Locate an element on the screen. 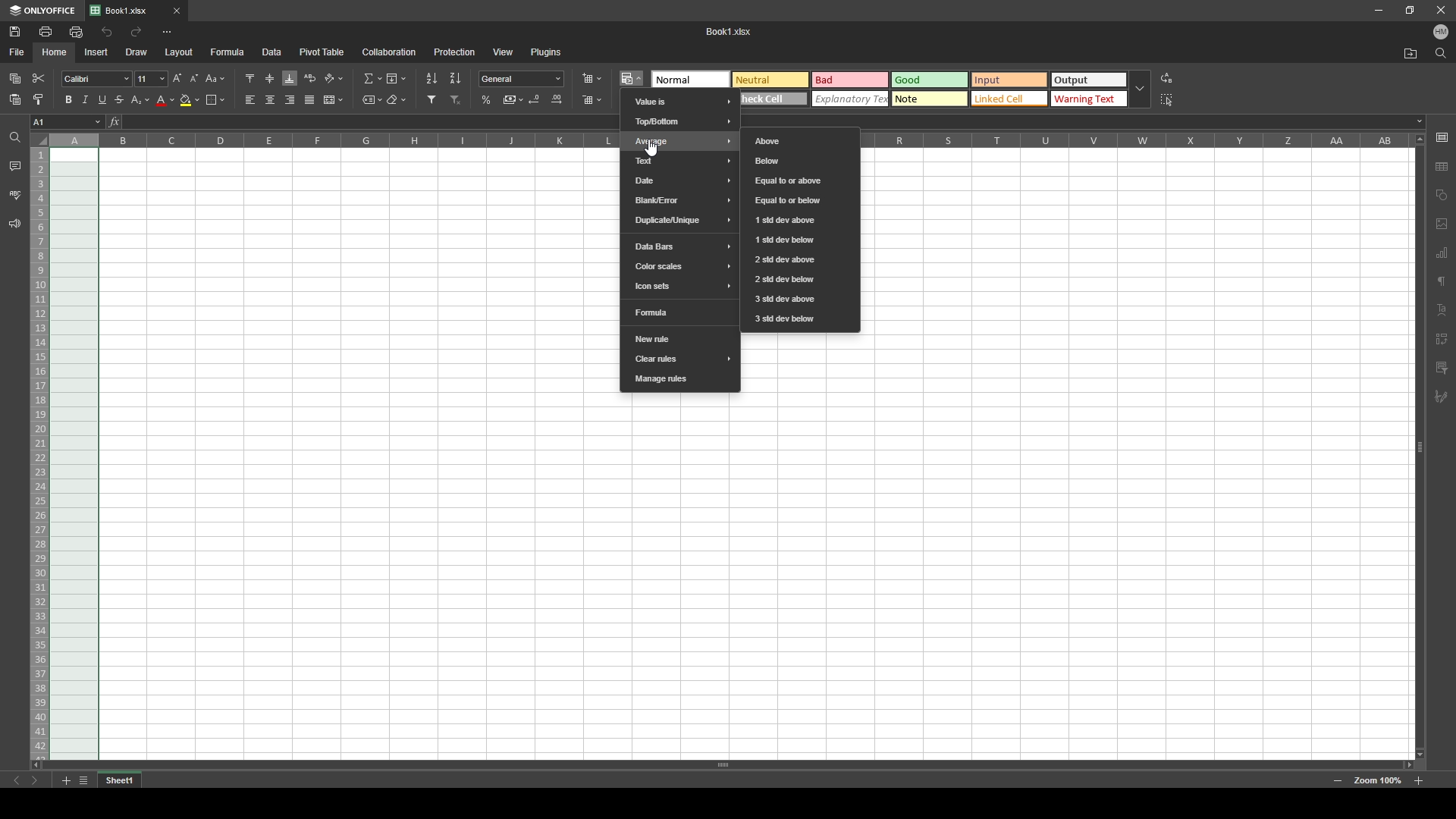 The height and width of the screenshot is (819, 1456). formula is located at coordinates (227, 51).